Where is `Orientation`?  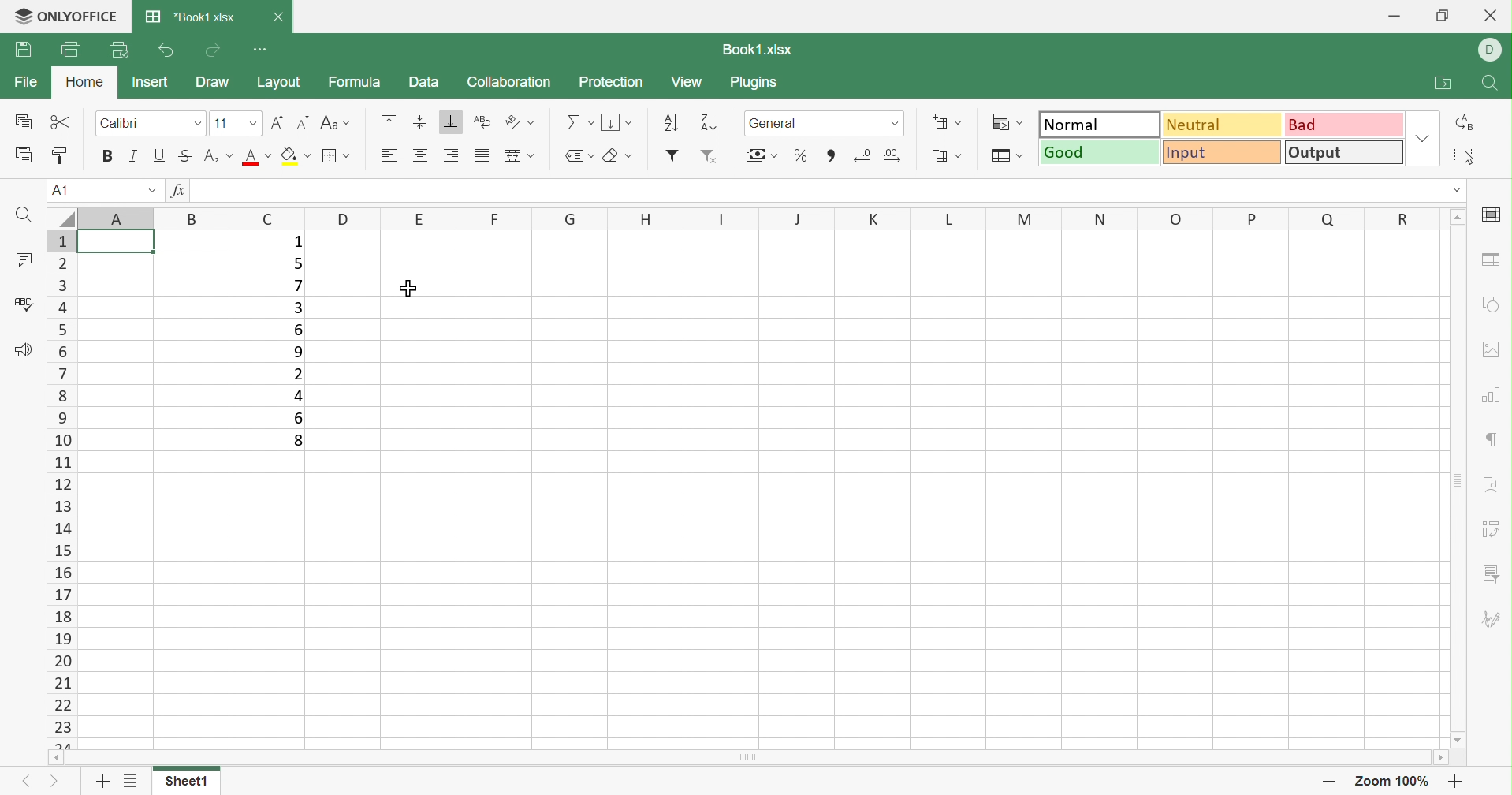
Orientation is located at coordinates (520, 122).